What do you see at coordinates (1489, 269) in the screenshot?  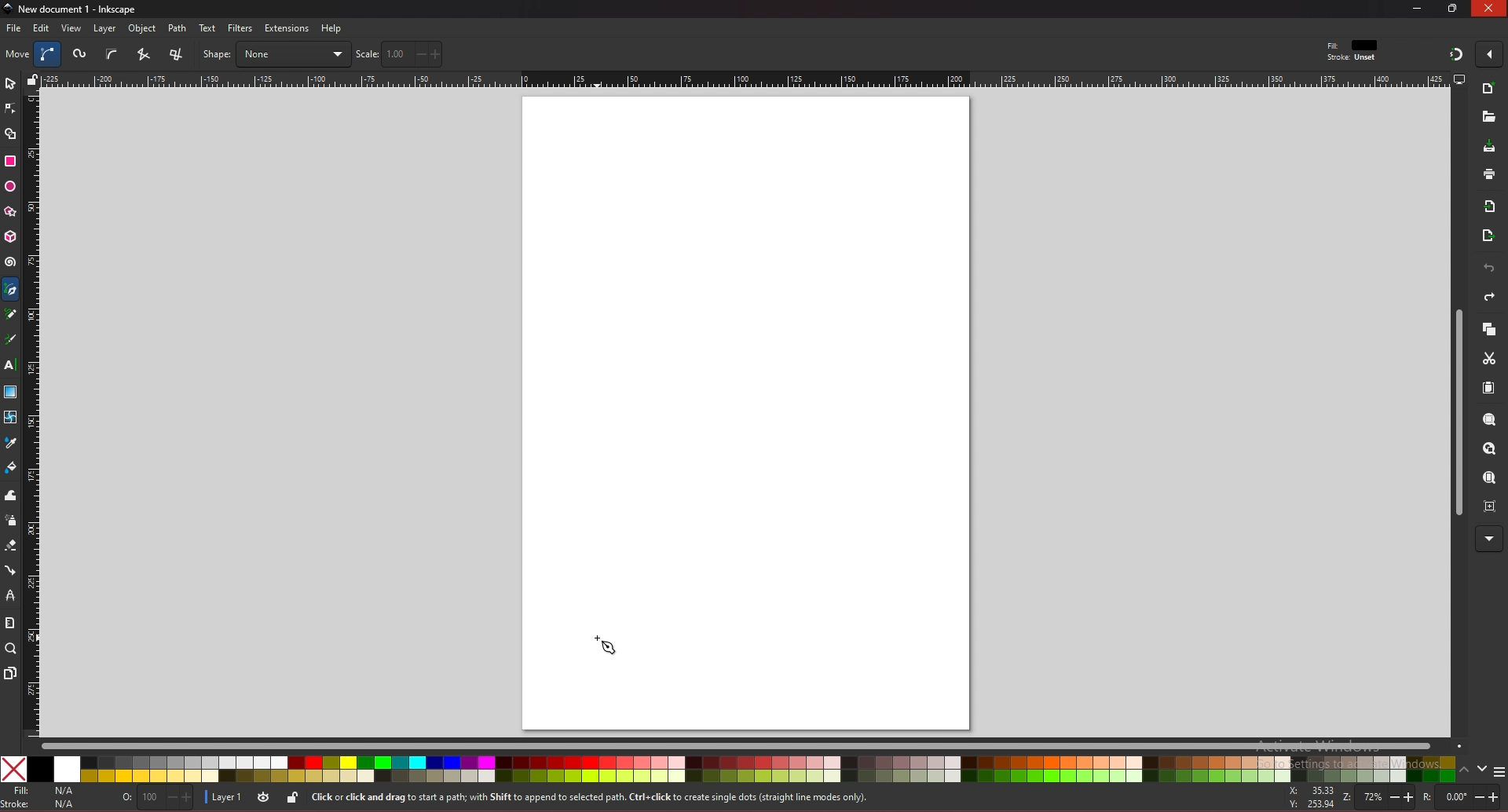 I see `undo` at bounding box center [1489, 269].